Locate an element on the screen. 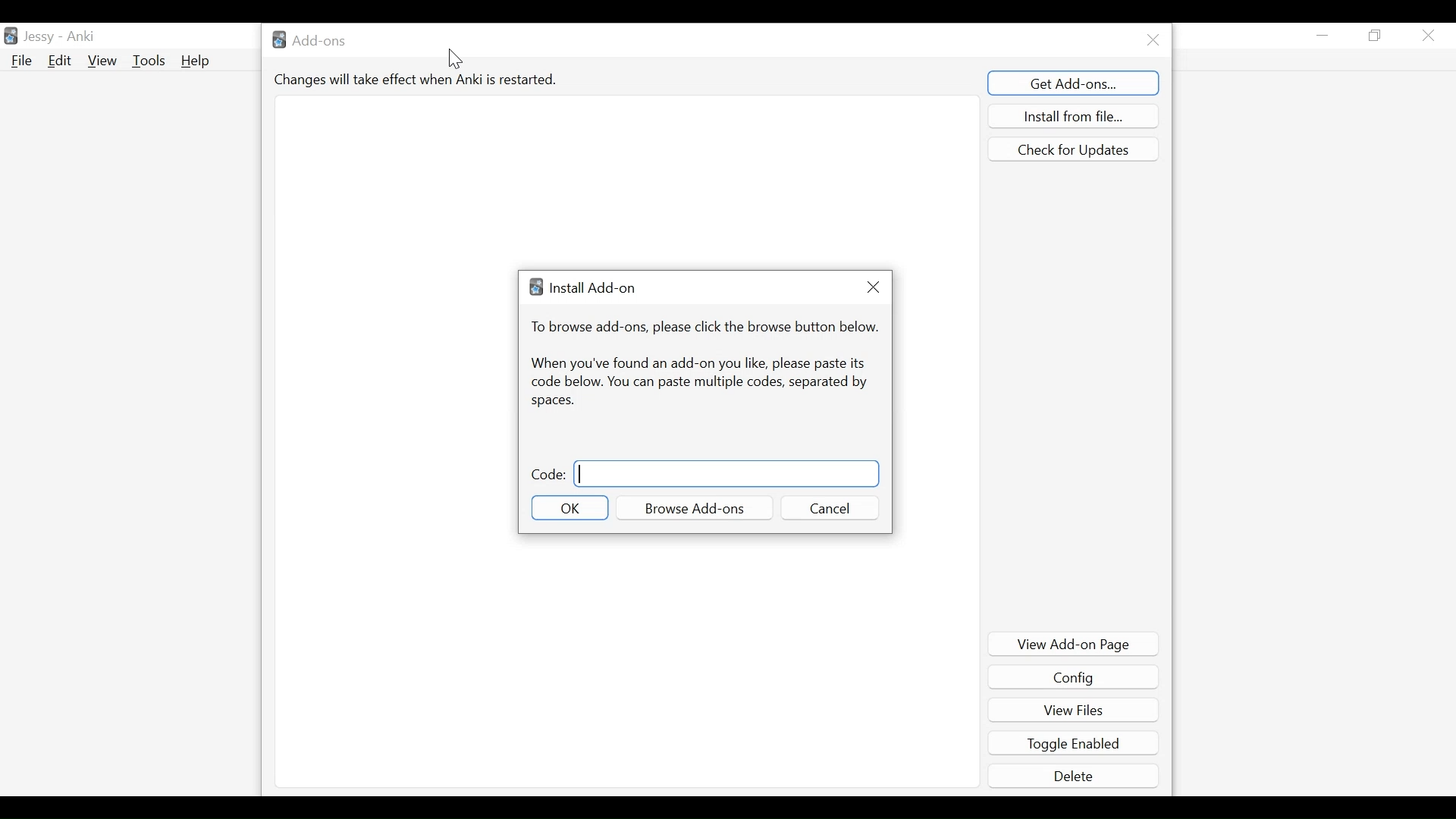  Install Add-on is located at coordinates (582, 287).